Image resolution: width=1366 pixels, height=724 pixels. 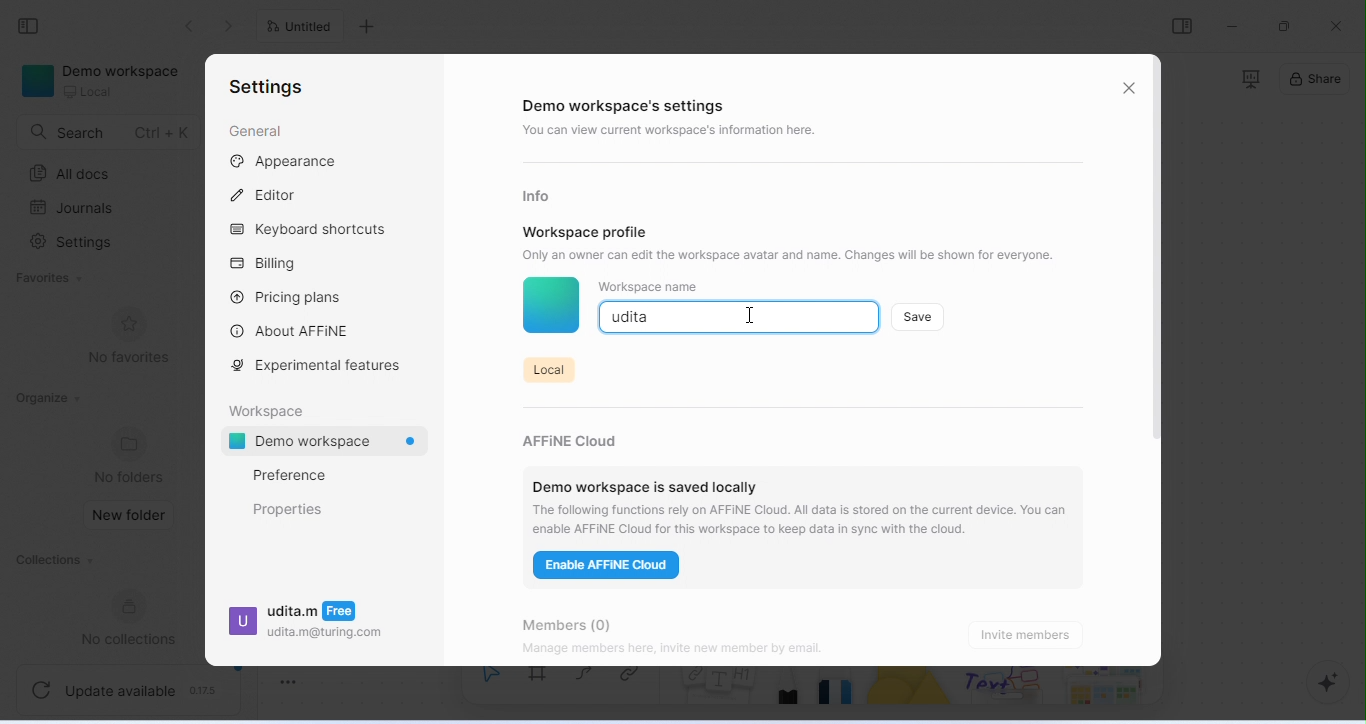 I want to click on maximize, so click(x=1287, y=25).